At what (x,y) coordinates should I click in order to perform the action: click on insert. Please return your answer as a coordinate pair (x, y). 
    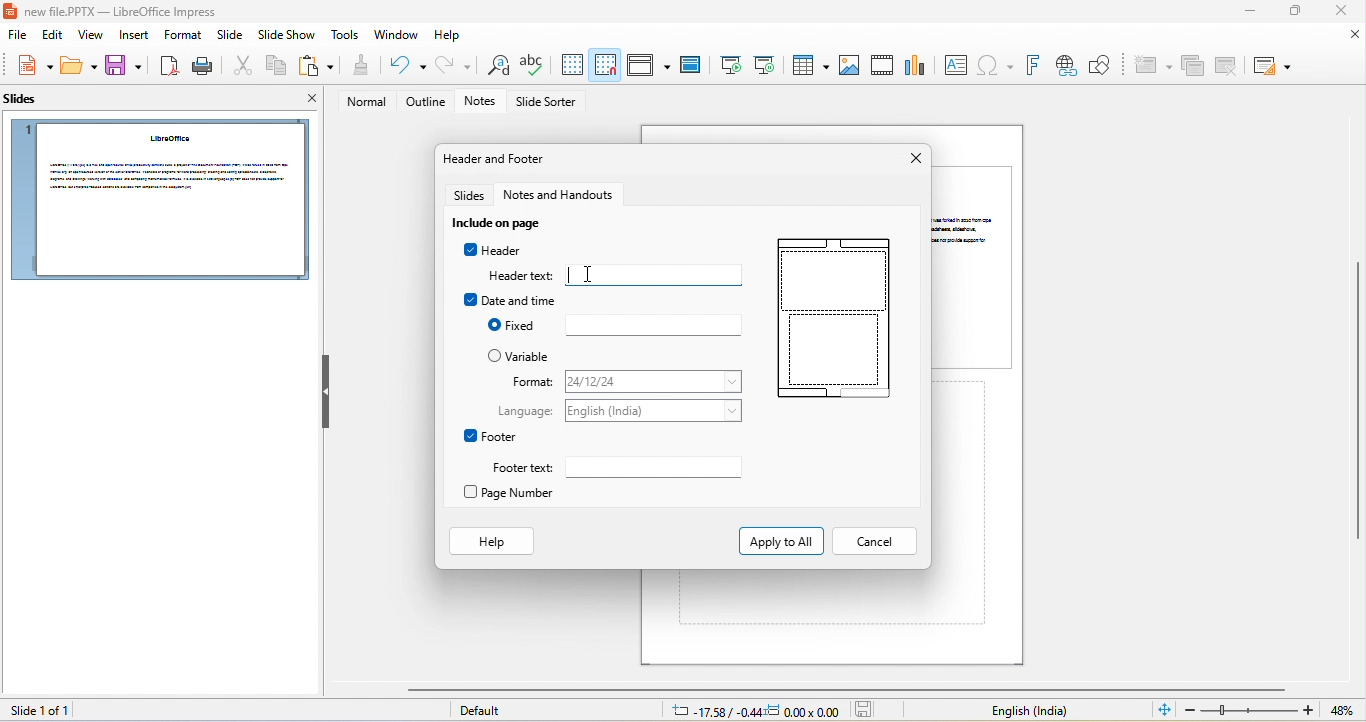
    Looking at the image, I should click on (136, 36).